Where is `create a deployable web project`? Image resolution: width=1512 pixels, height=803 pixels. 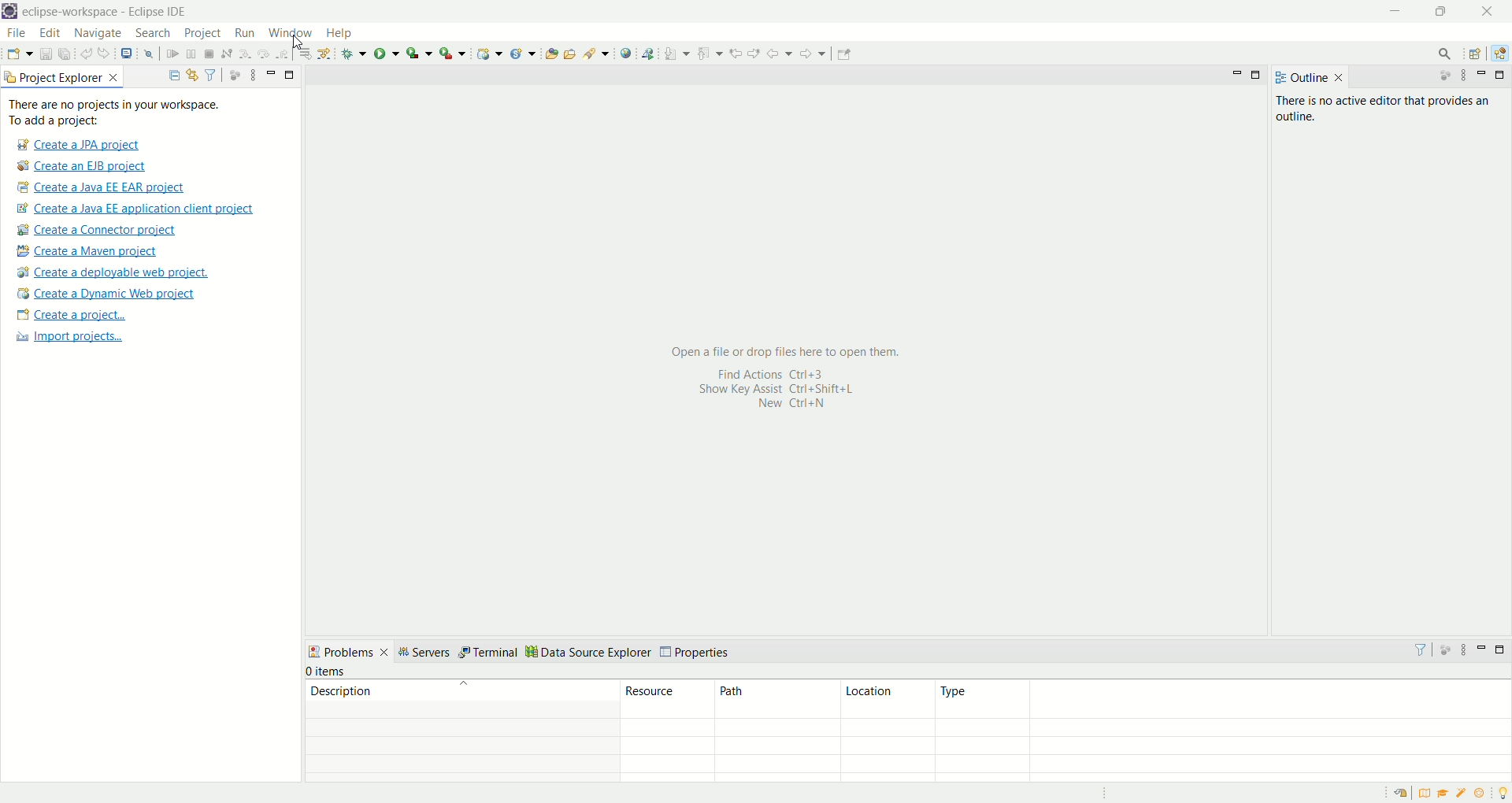 create a deployable web project is located at coordinates (113, 273).